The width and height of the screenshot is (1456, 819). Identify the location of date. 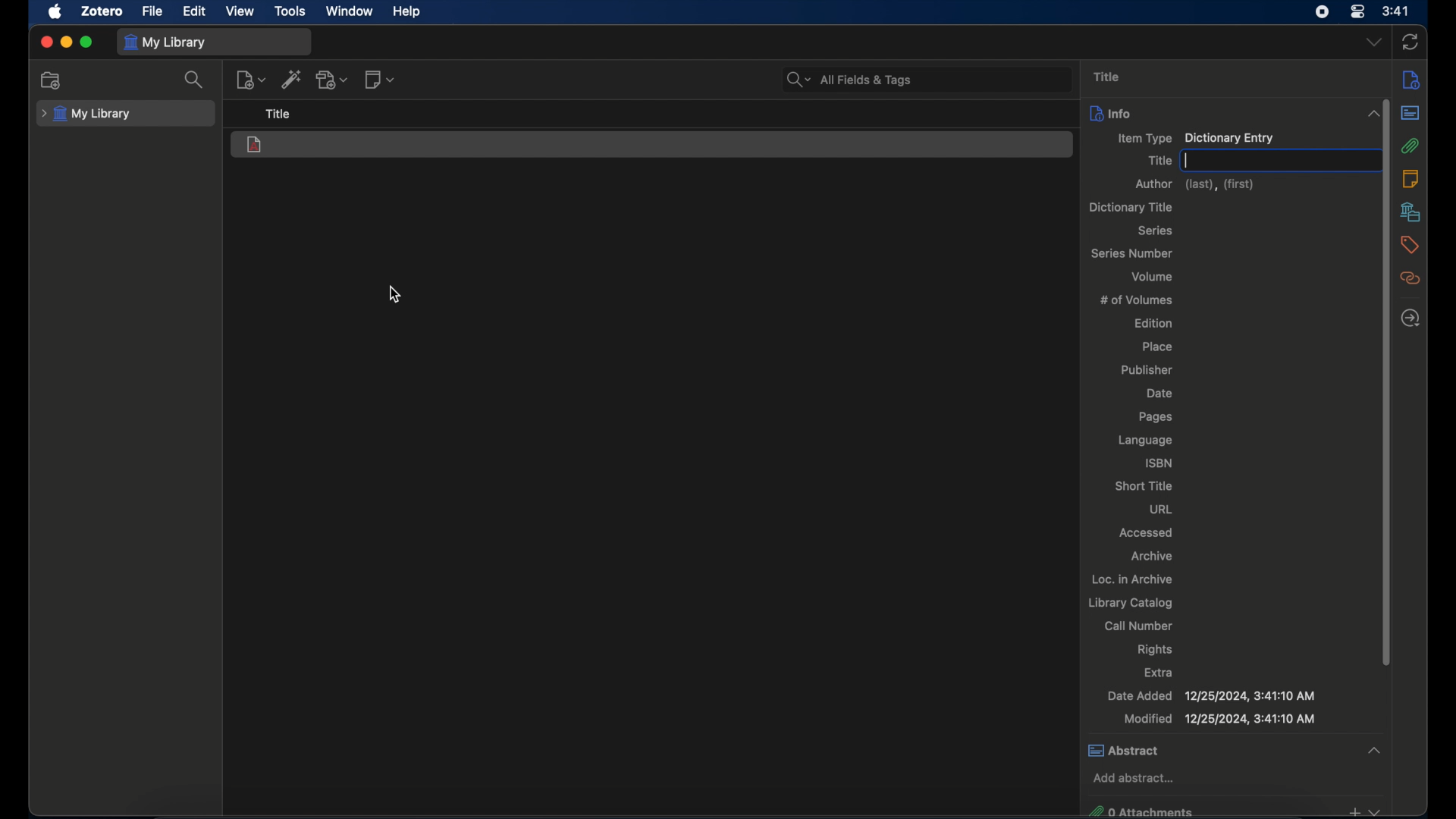
(1162, 394).